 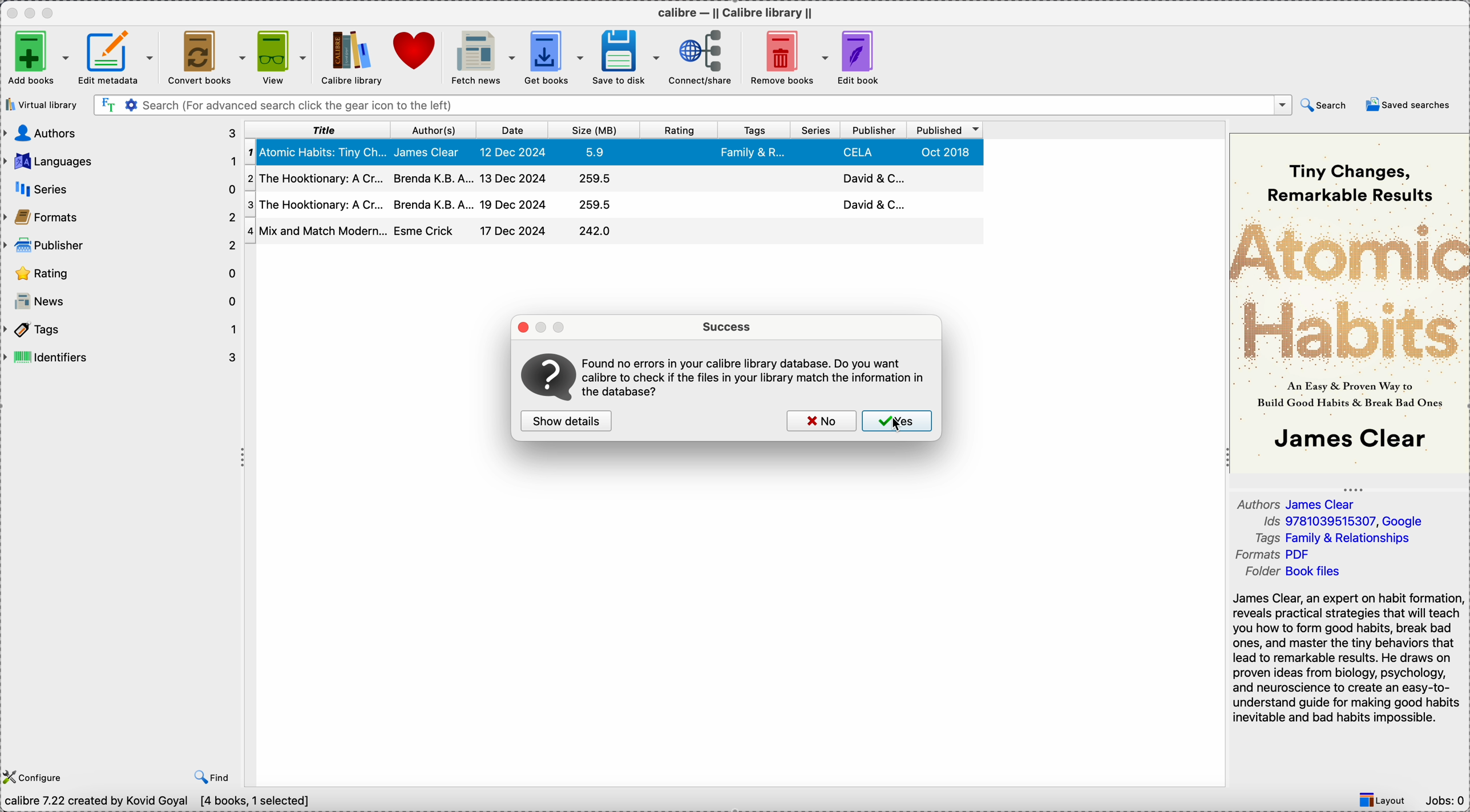 What do you see at coordinates (1326, 106) in the screenshot?
I see `search` at bounding box center [1326, 106].